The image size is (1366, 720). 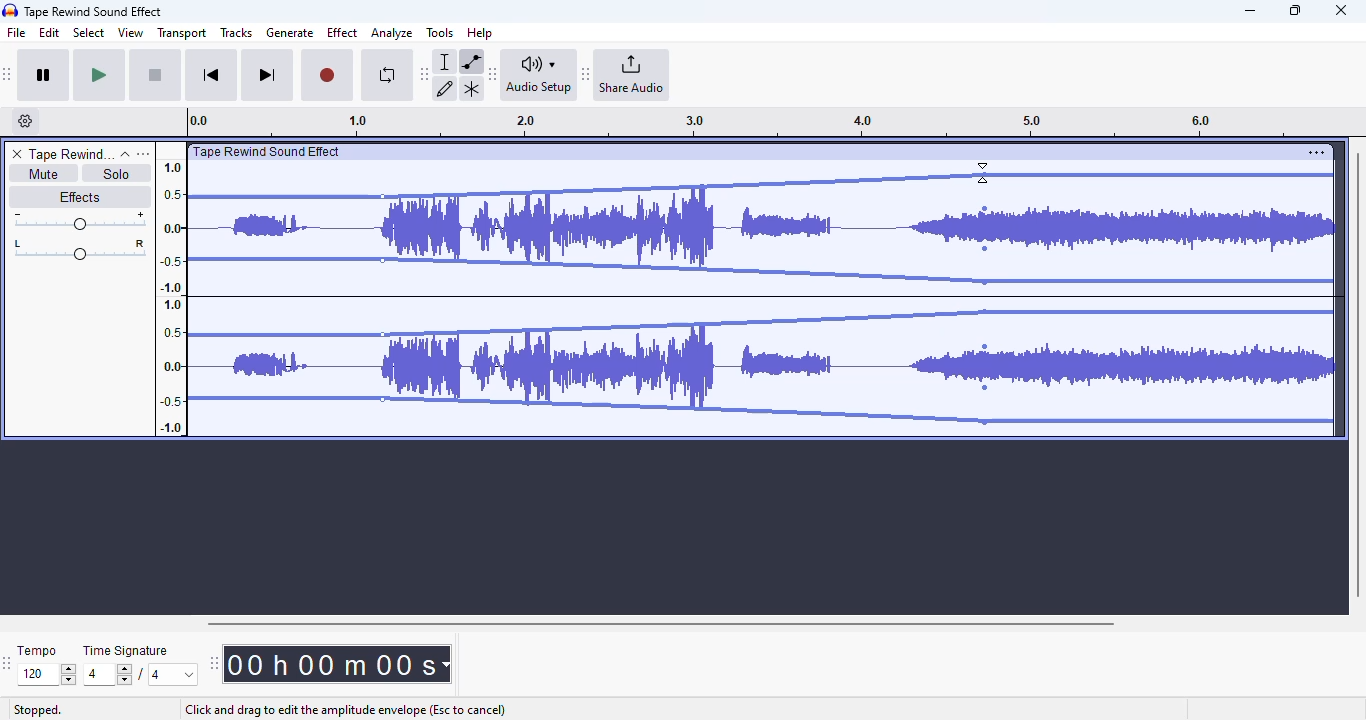 I want to click on selection tool, so click(x=447, y=61).